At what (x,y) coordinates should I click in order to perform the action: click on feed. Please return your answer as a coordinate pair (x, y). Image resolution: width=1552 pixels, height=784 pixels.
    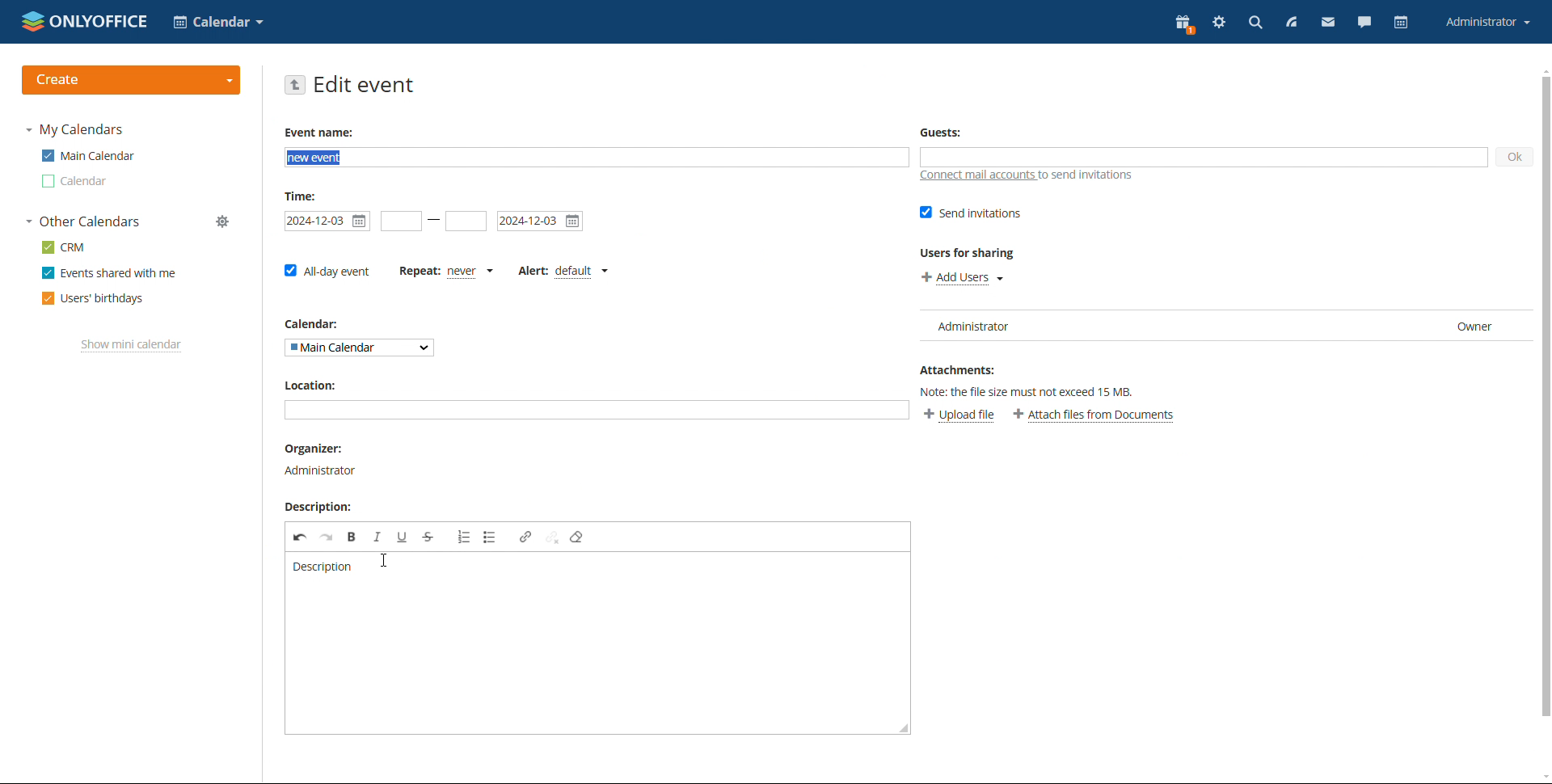
    Looking at the image, I should click on (1289, 23).